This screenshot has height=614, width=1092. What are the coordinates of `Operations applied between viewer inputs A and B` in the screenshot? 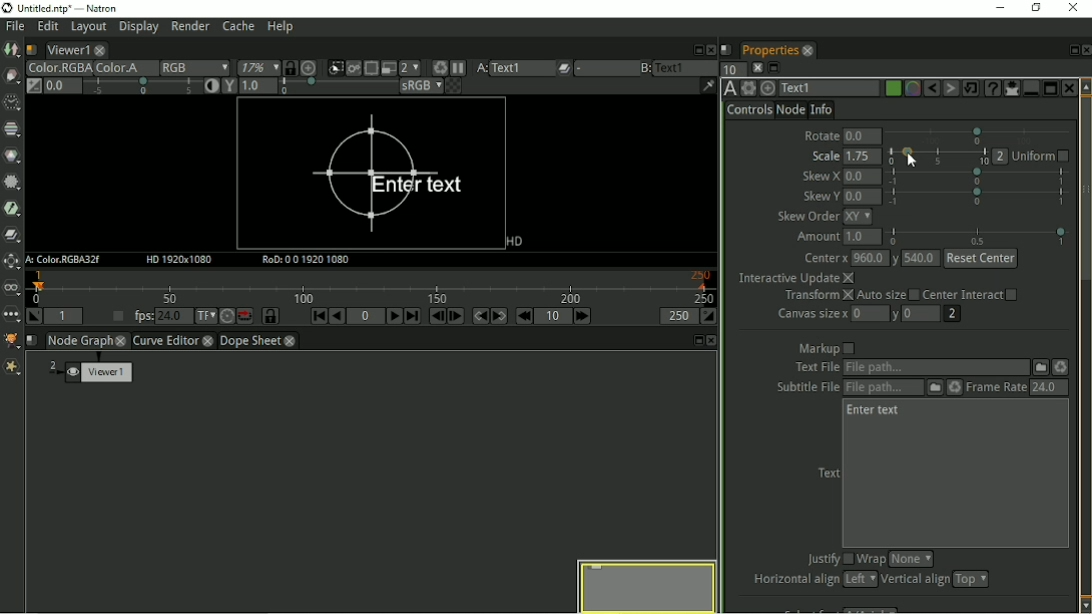 It's located at (590, 67).